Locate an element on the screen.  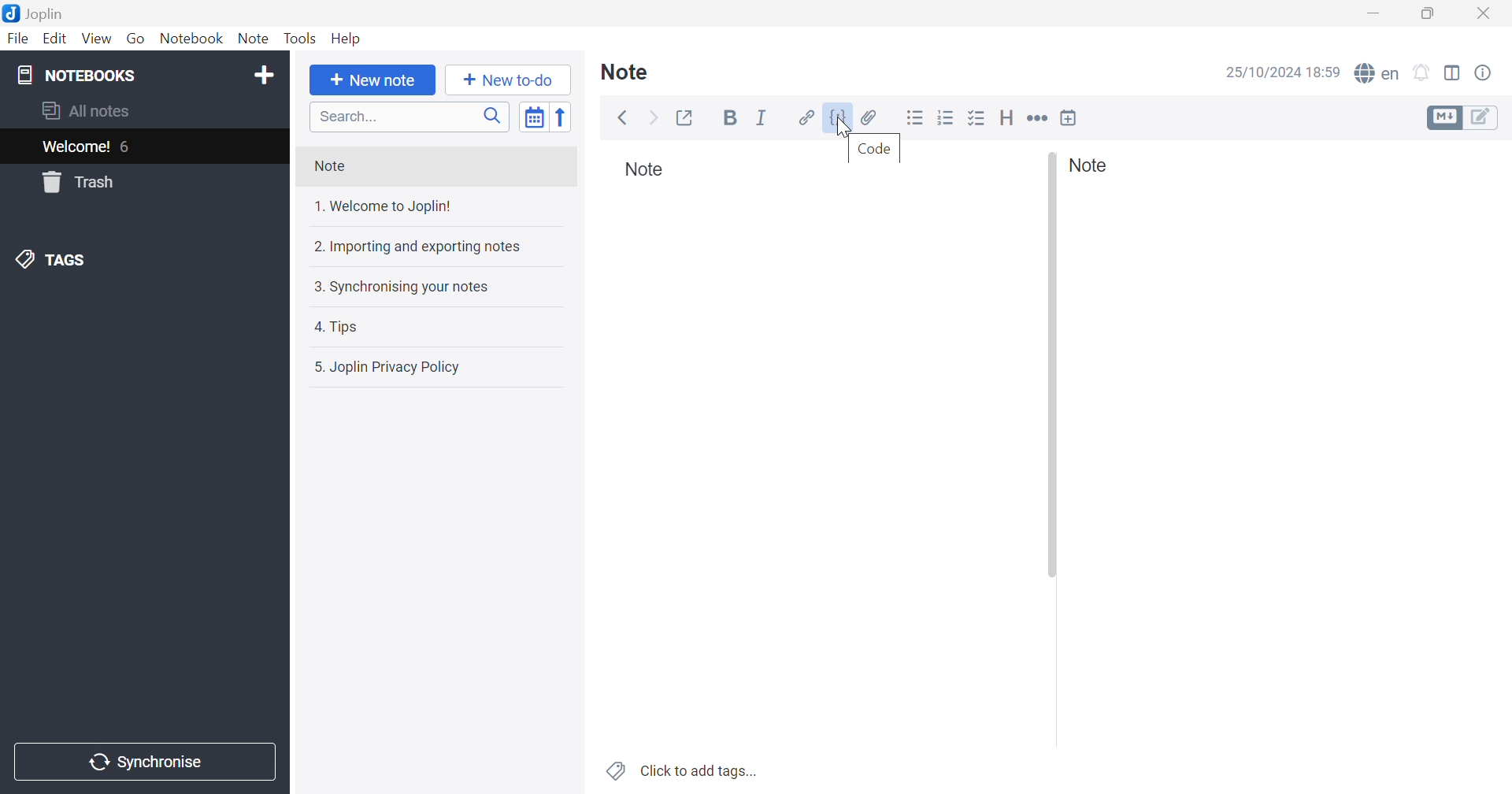
Go is located at coordinates (138, 39).